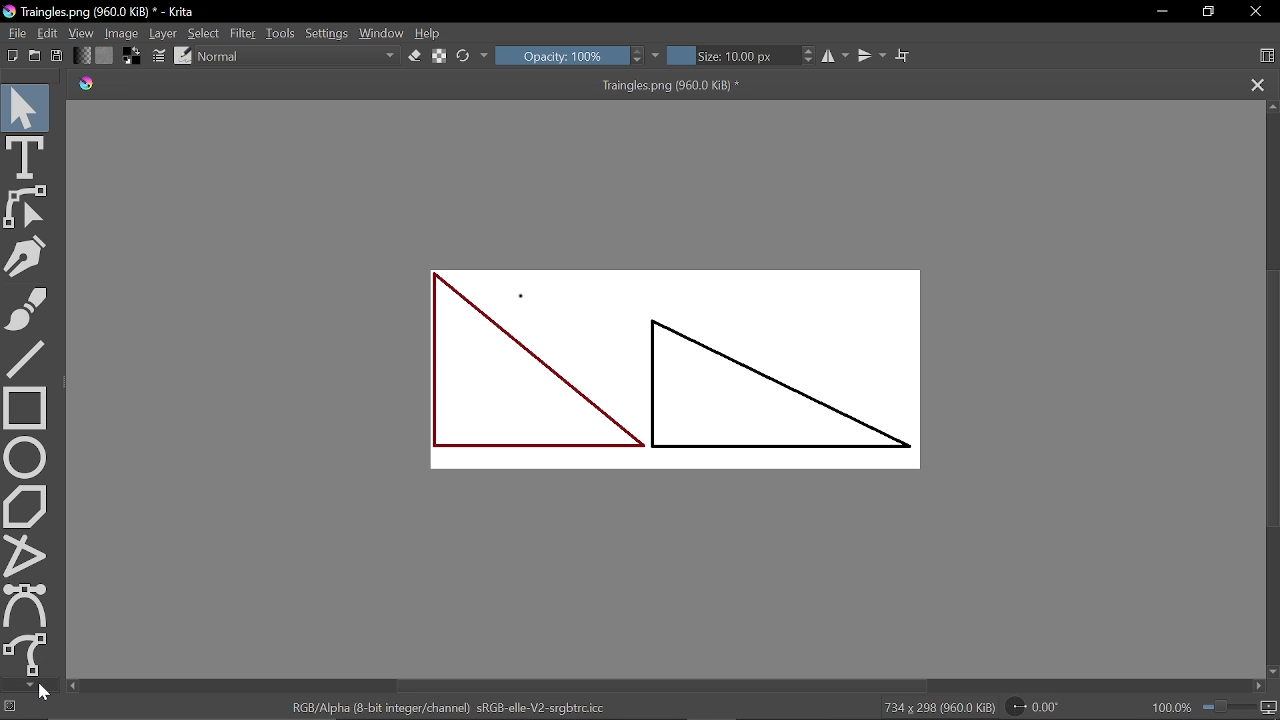  I want to click on Select, so click(204, 33).